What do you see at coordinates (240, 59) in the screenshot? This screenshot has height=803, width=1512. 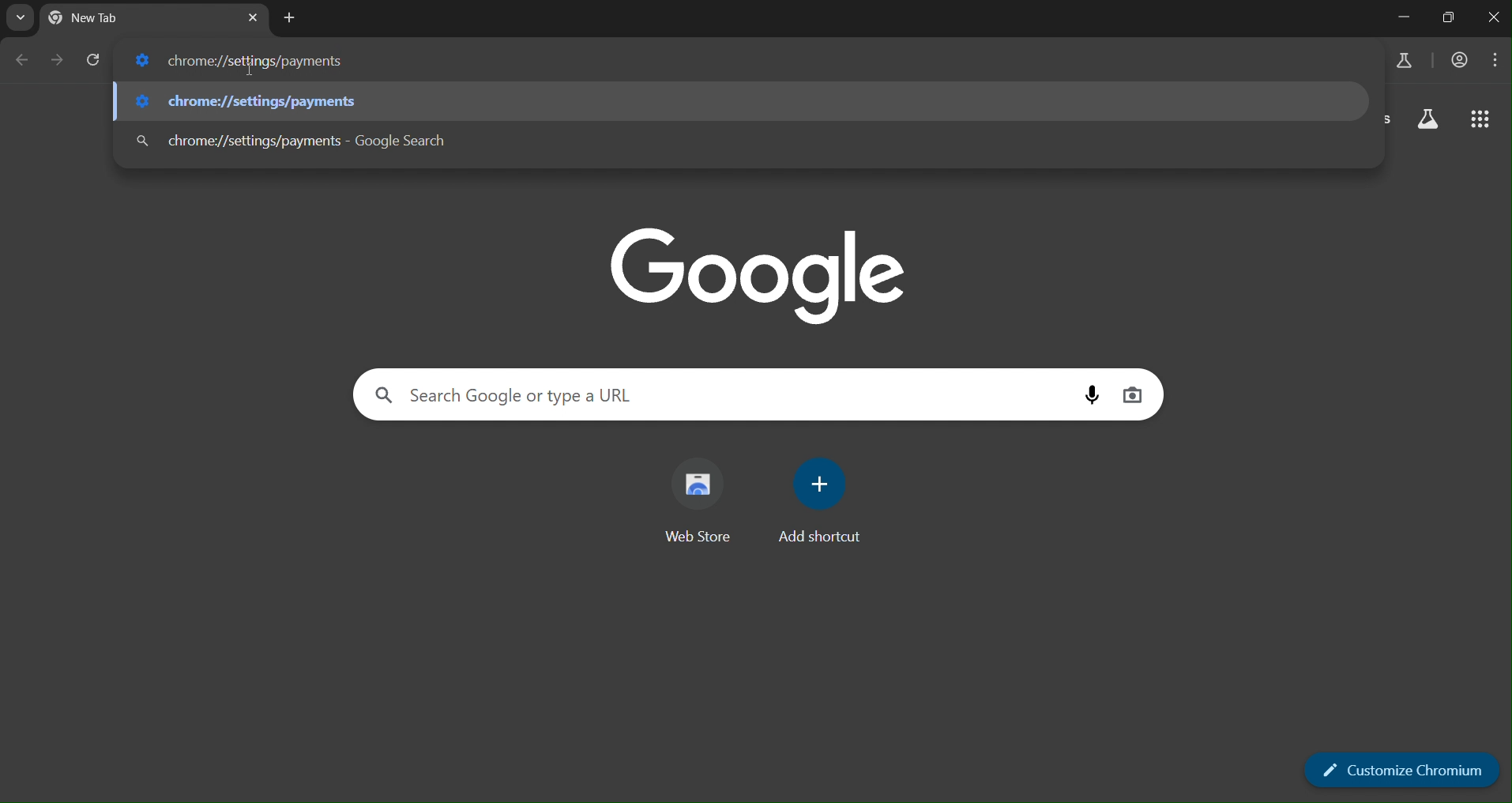 I see `chrome://settings/payments` at bounding box center [240, 59].